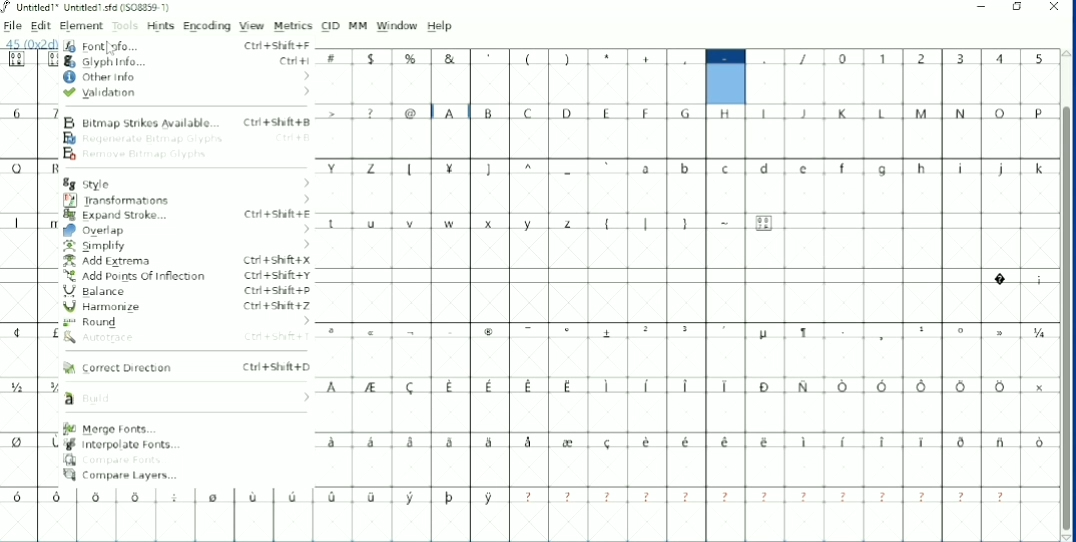 Image resolution: width=1076 pixels, height=542 pixels. I want to click on Font Info, so click(186, 44).